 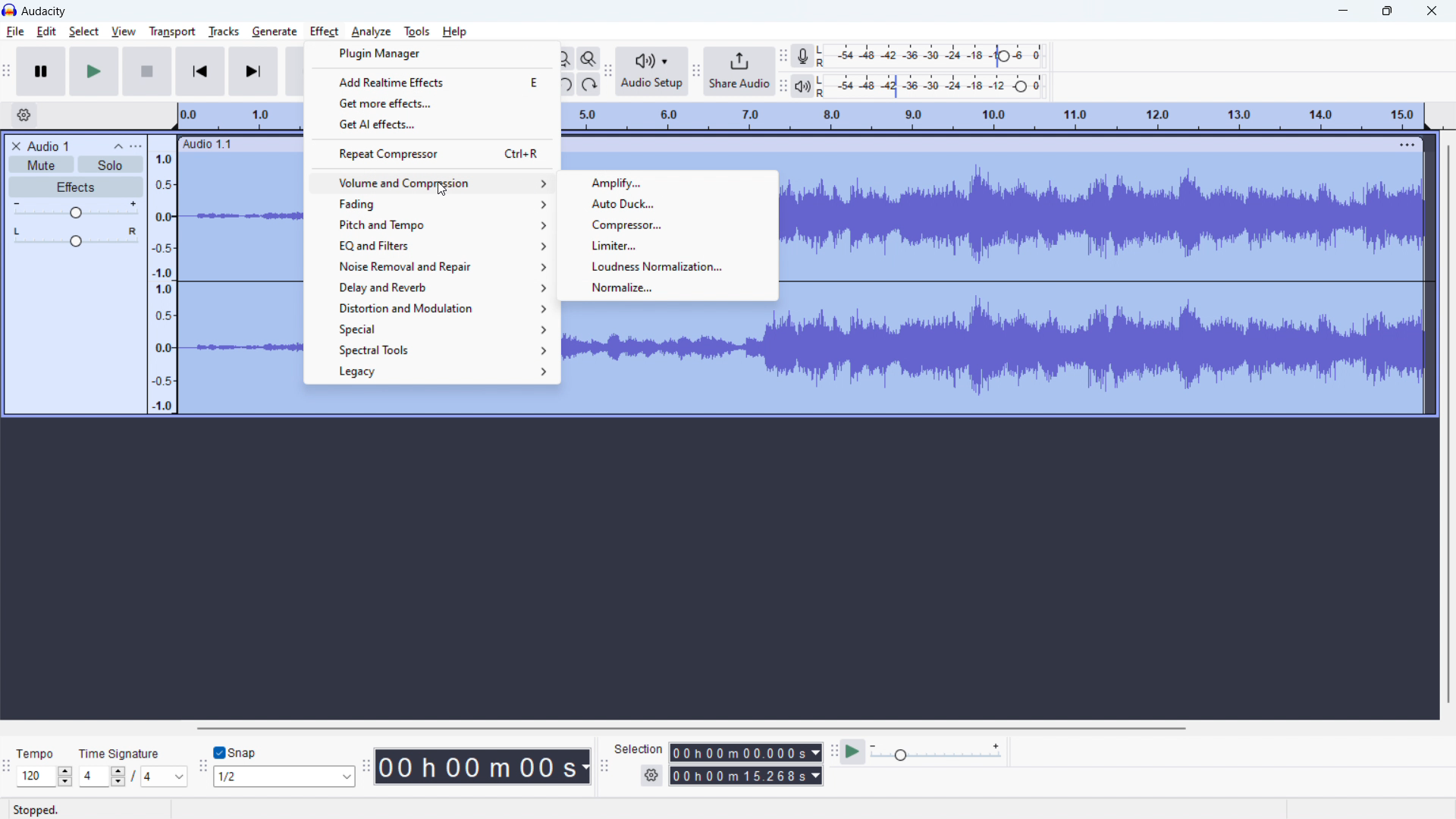 I want to click on 4/4 (set time signature), so click(x=133, y=777).